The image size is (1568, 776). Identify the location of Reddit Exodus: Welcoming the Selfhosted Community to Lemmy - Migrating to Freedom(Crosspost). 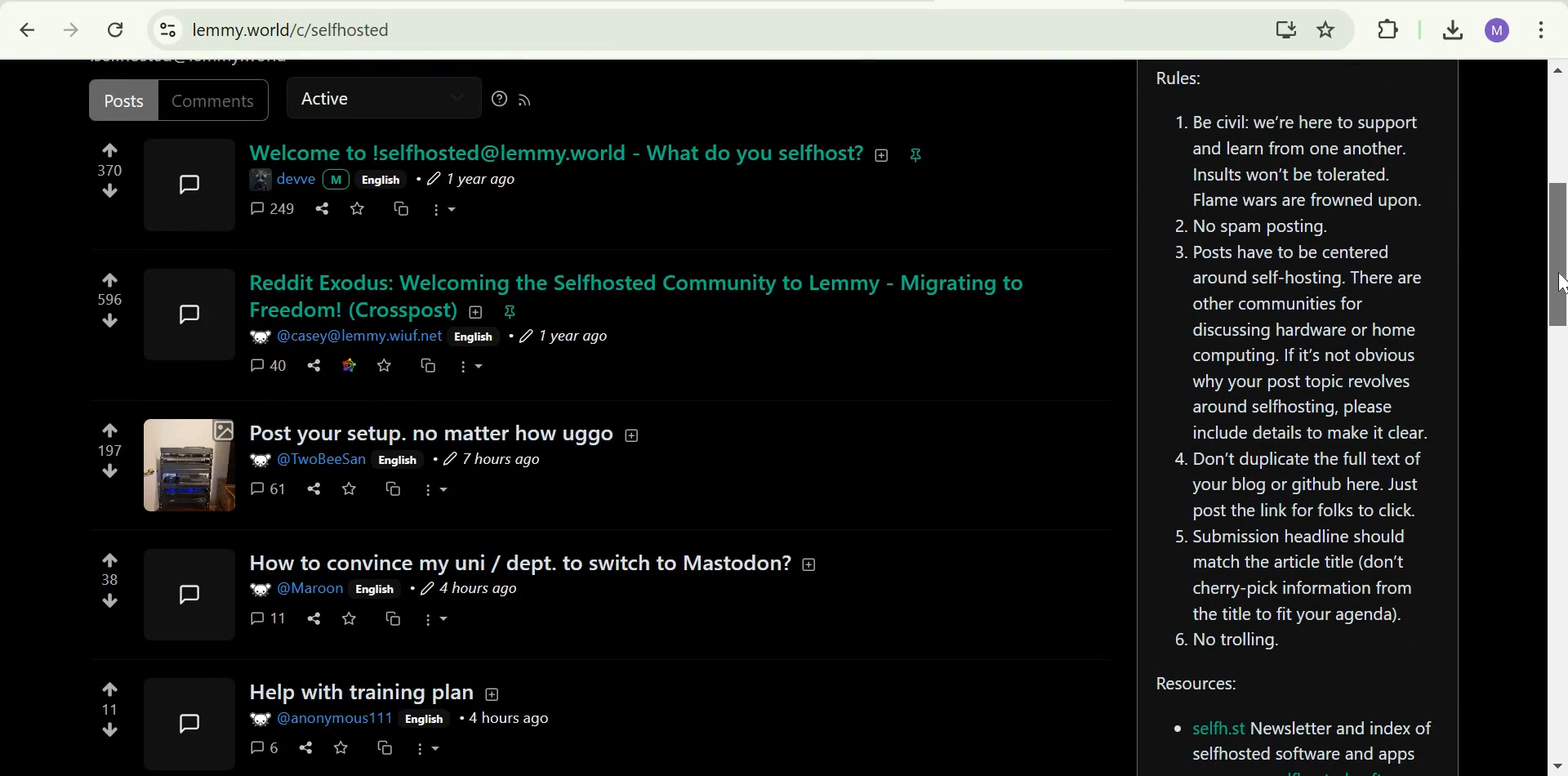
(645, 295).